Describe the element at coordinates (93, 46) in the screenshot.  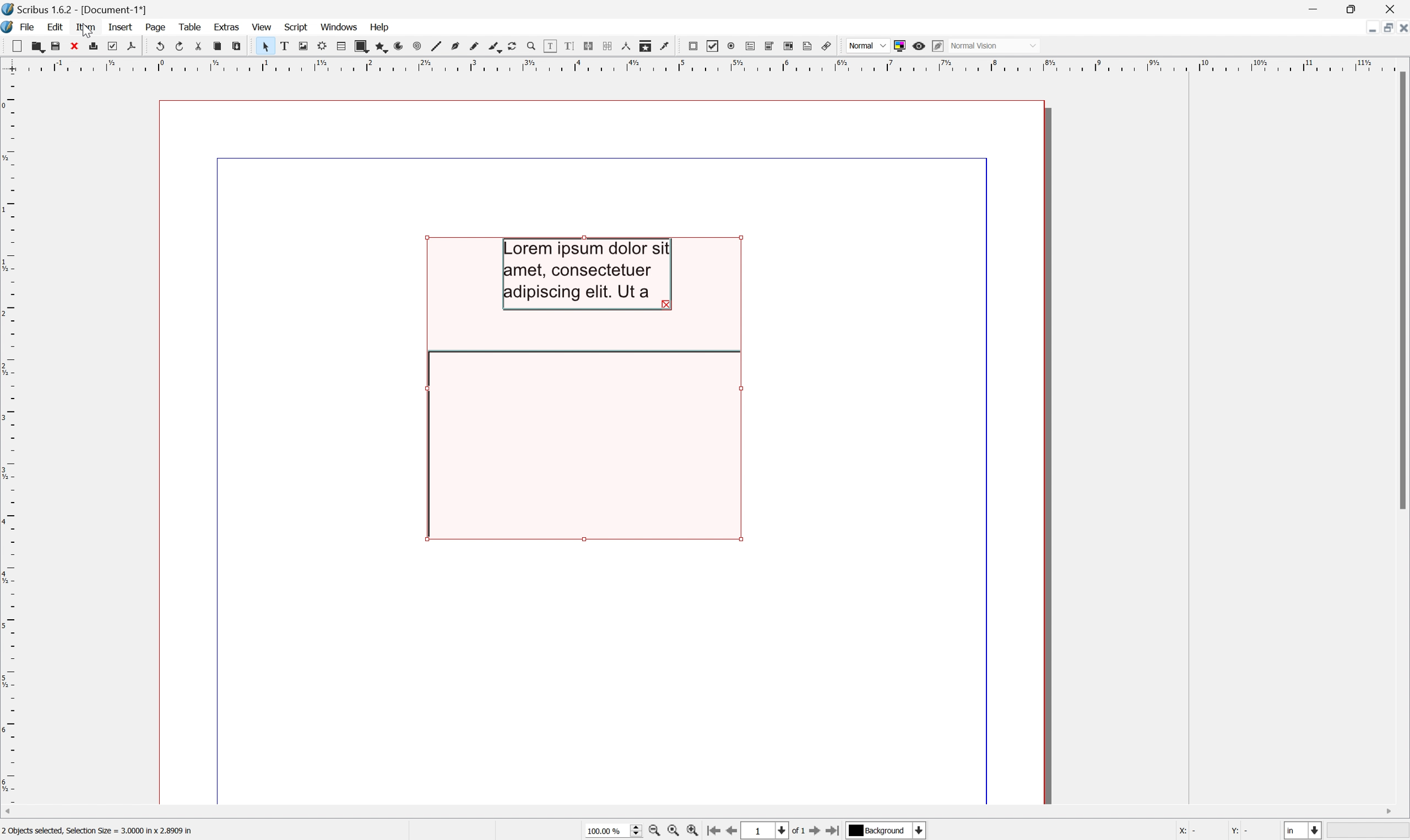
I see `Print` at that location.